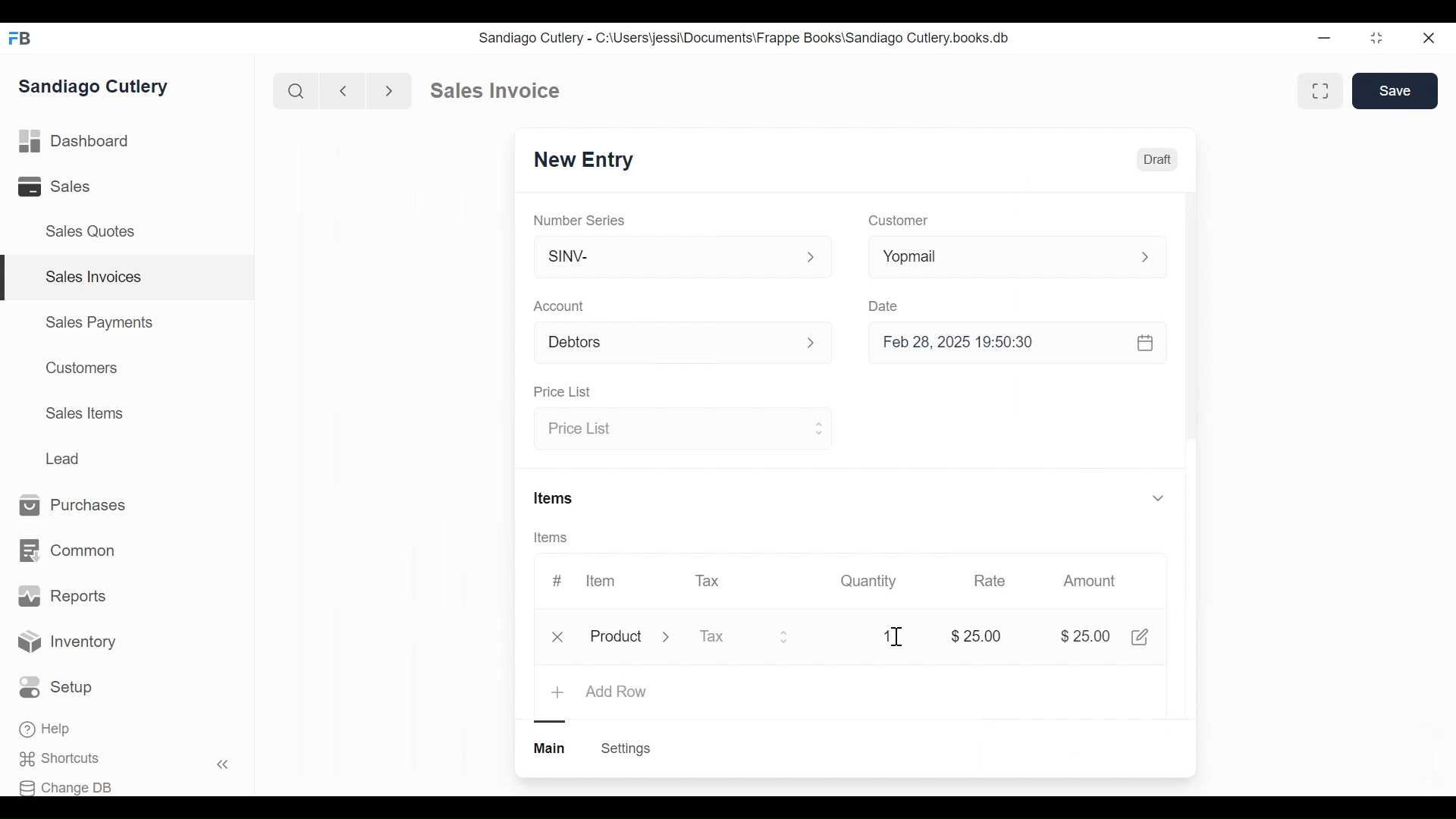 This screenshot has width=1456, height=819. What do you see at coordinates (96, 232) in the screenshot?
I see `Sales Quotes` at bounding box center [96, 232].